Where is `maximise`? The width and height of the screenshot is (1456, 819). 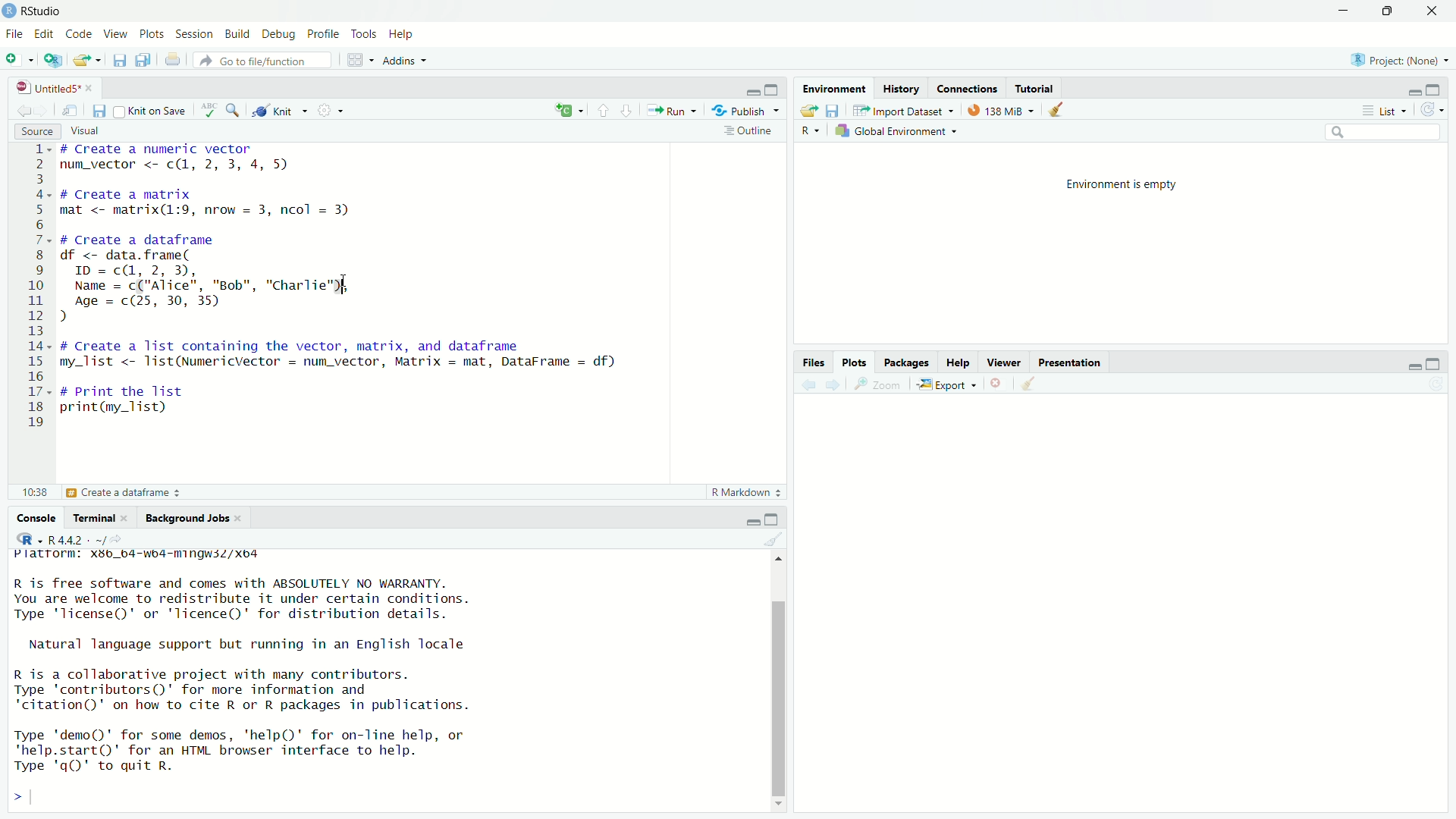 maximise is located at coordinates (1385, 11).